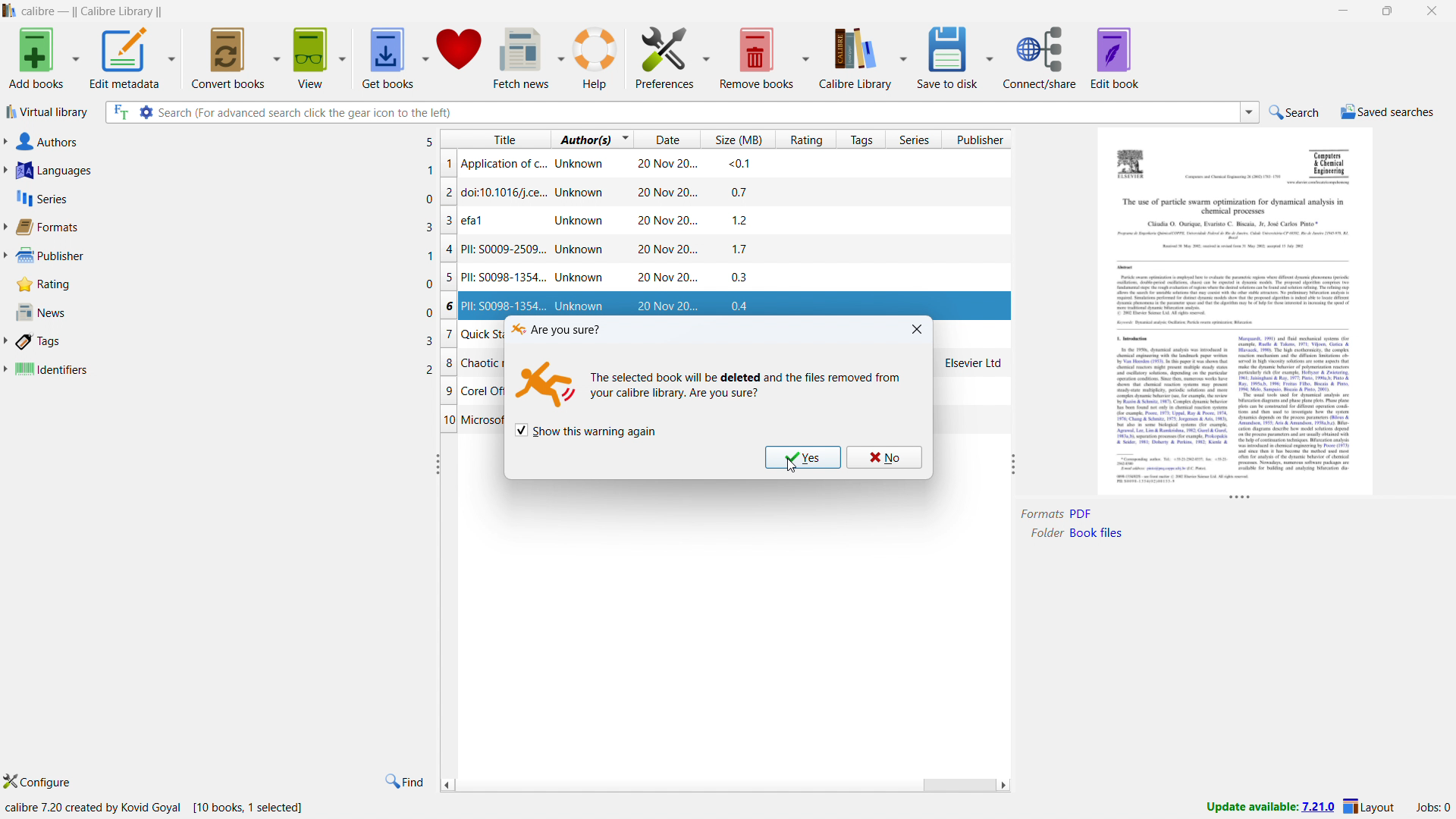 The image size is (1456, 819). What do you see at coordinates (1296, 111) in the screenshot?
I see `do quick search` at bounding box center [1296, 111].